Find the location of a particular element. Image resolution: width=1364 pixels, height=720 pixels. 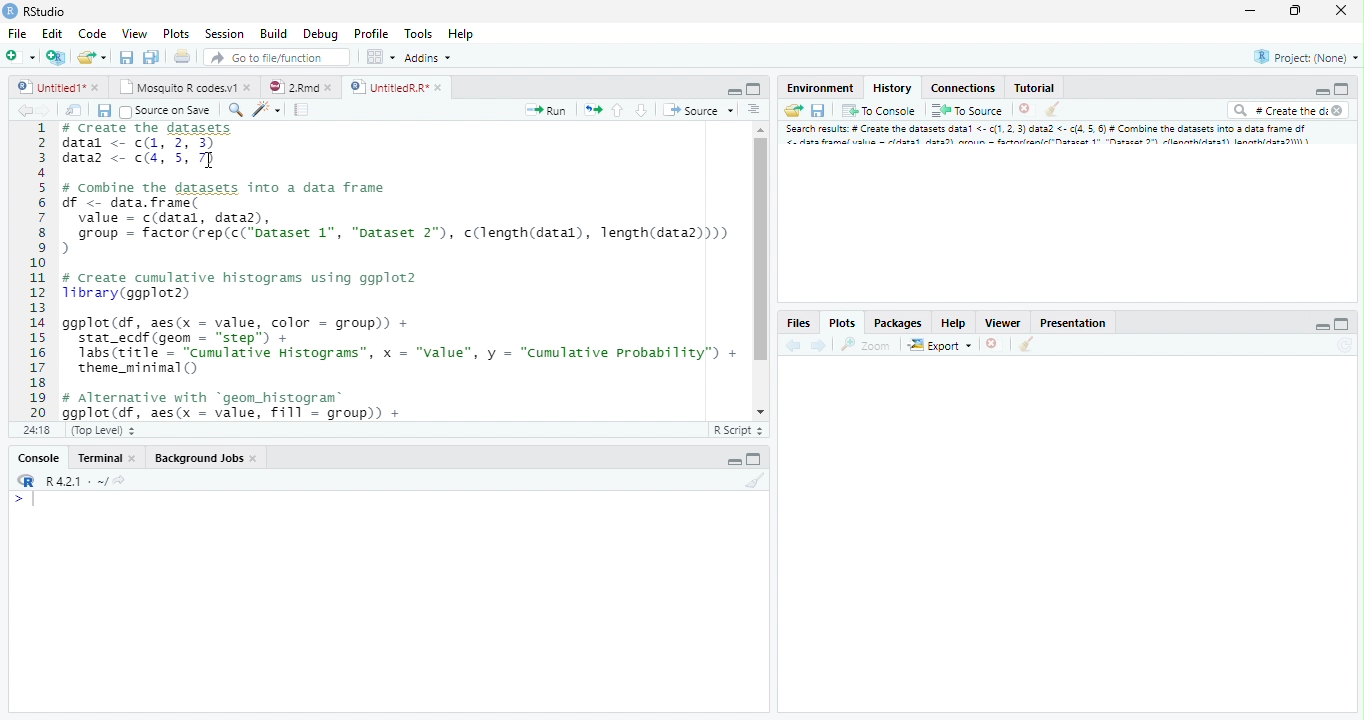

Delete  is located at coordinates (992, 342).